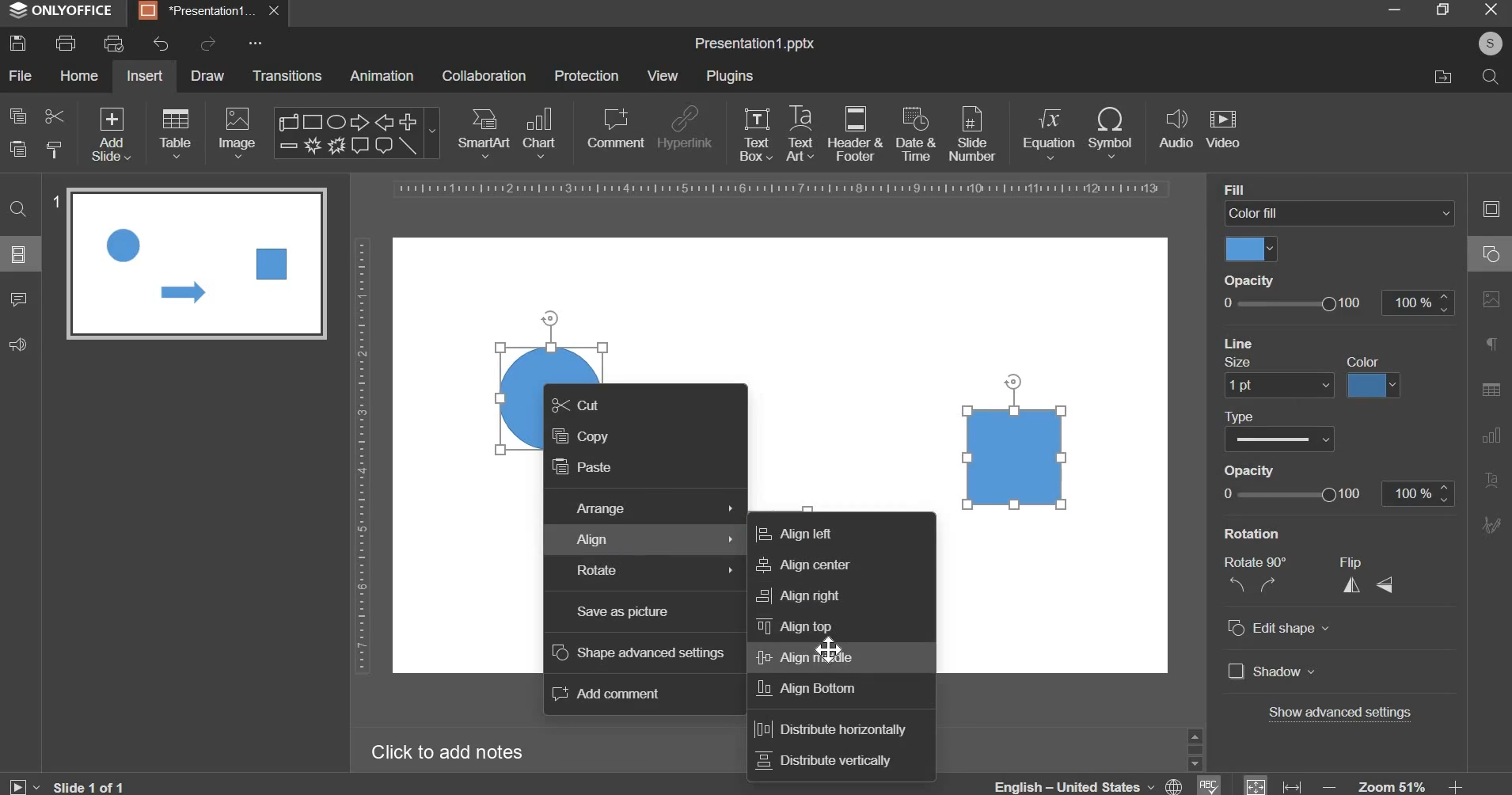  I want to click on fill, so click(1250, 189).